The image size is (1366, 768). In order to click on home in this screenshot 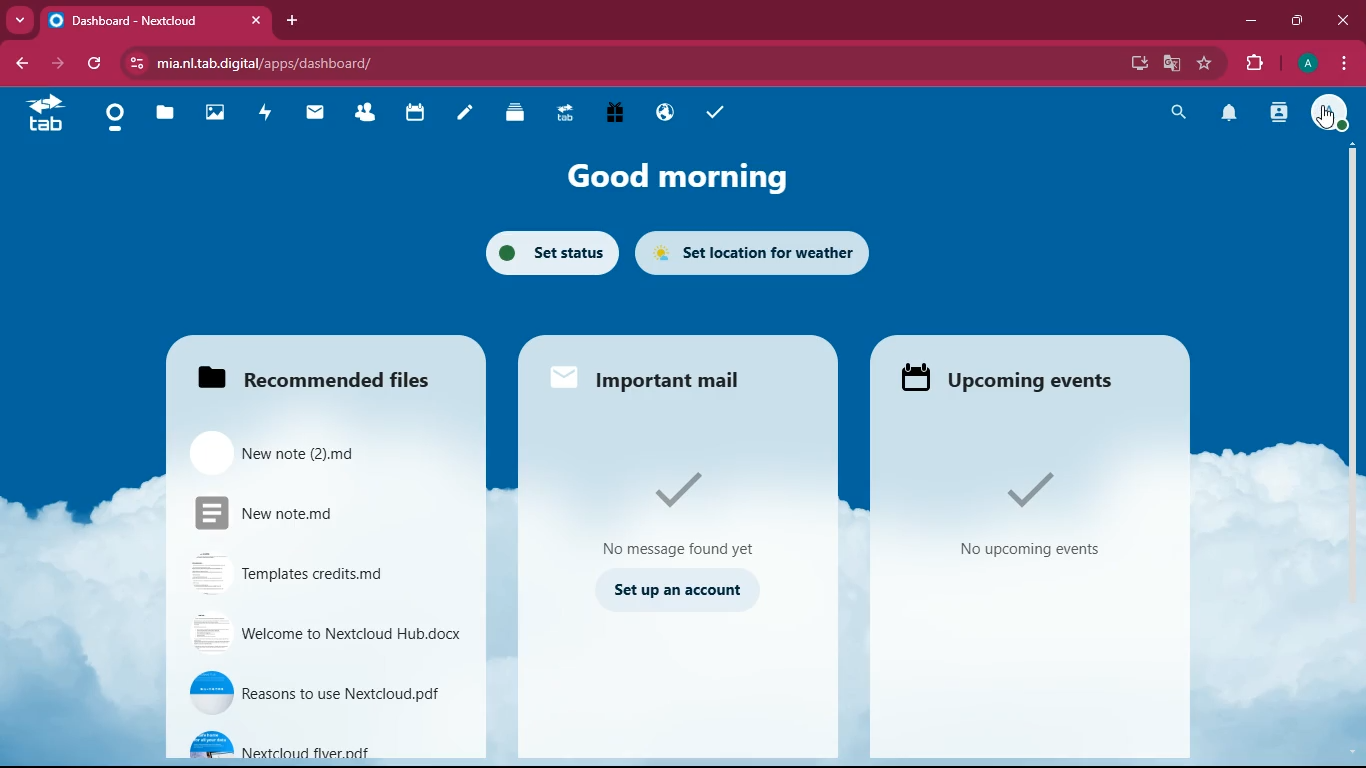, I will do `click(114, 122)`.